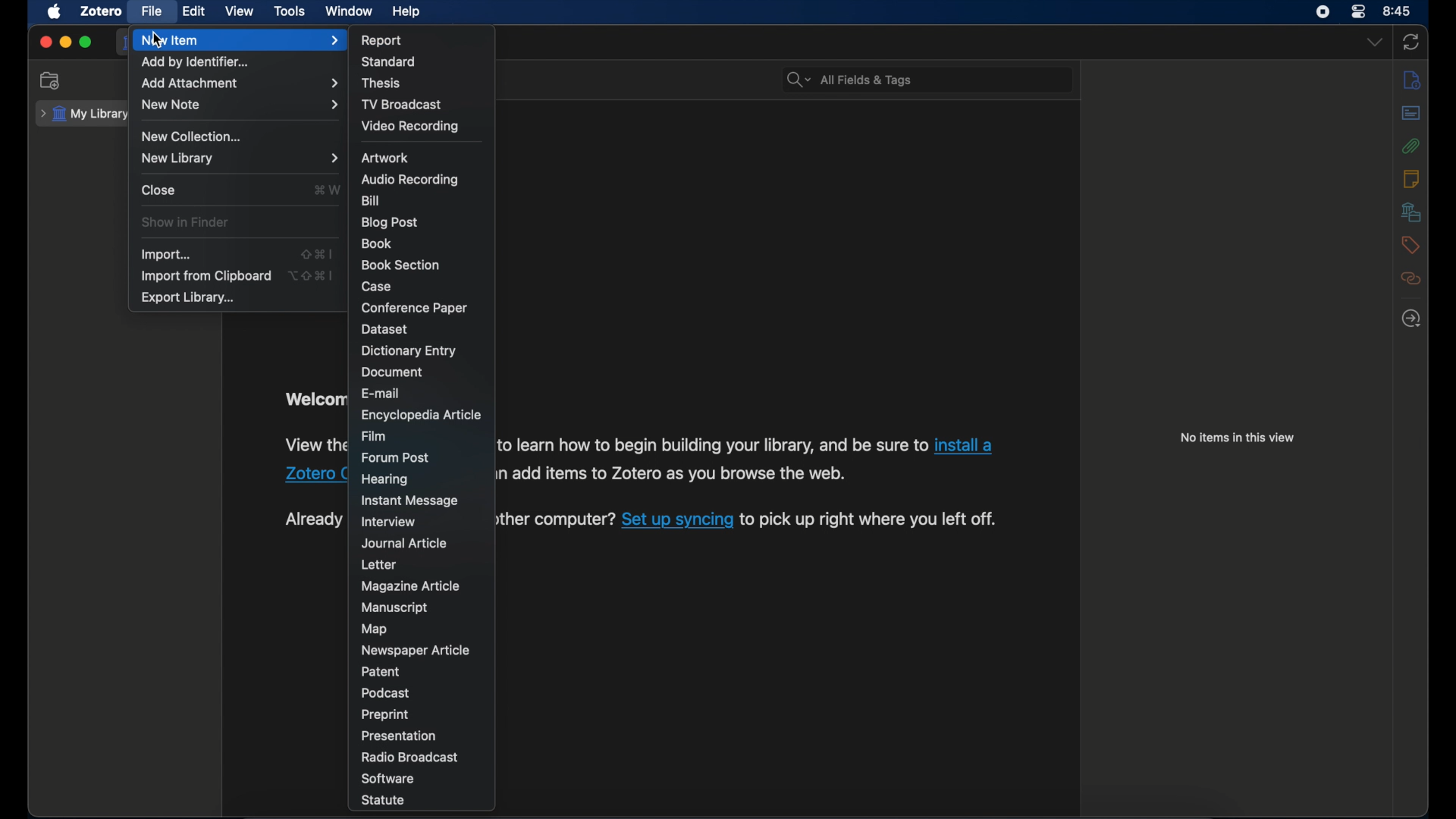 The width and height of the screenshot is (1456, 819). I want to click on audio recording, so click(409, 178).